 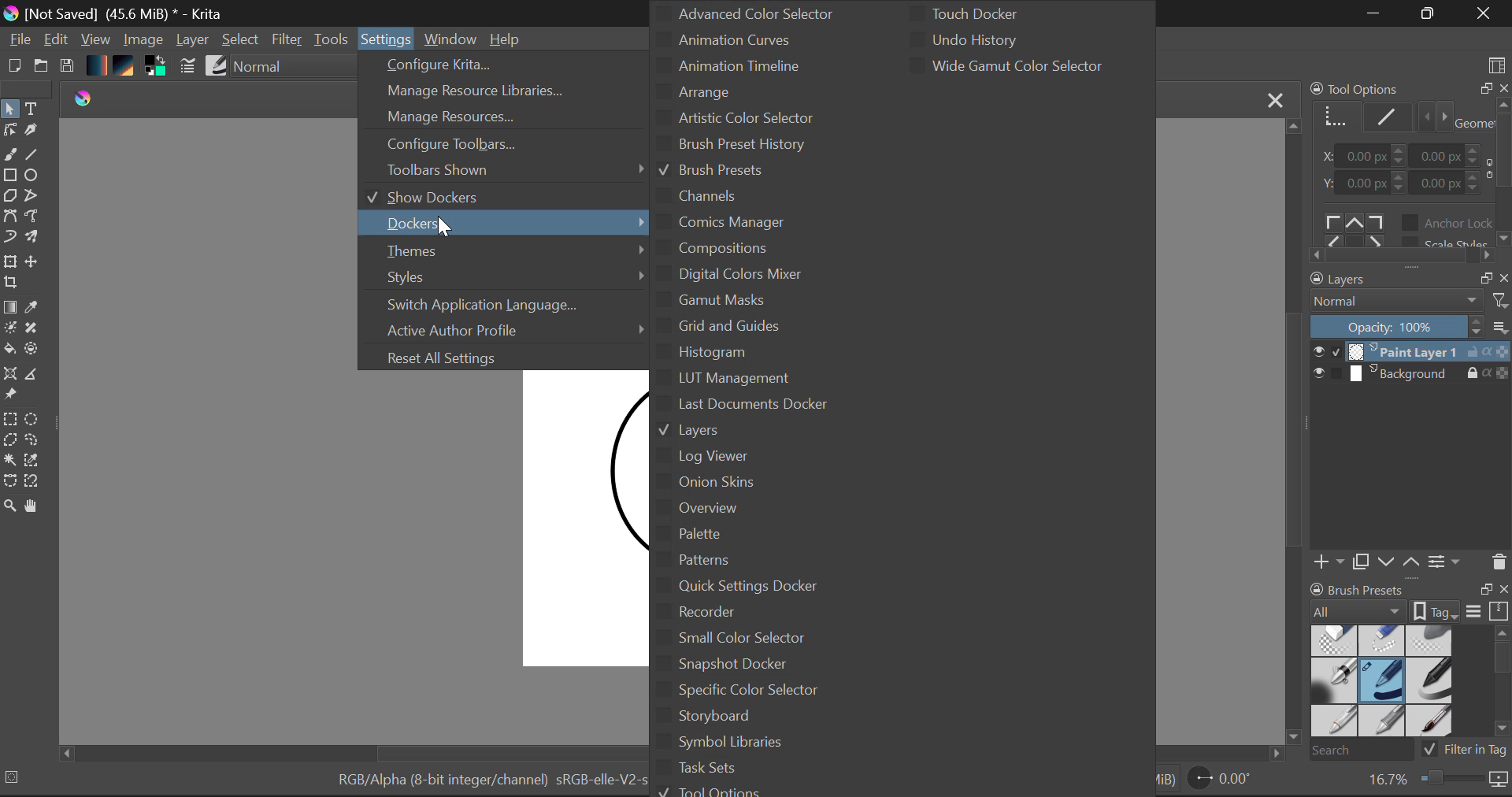 I want to click on Brush Presets, so click(x=217, y=67).